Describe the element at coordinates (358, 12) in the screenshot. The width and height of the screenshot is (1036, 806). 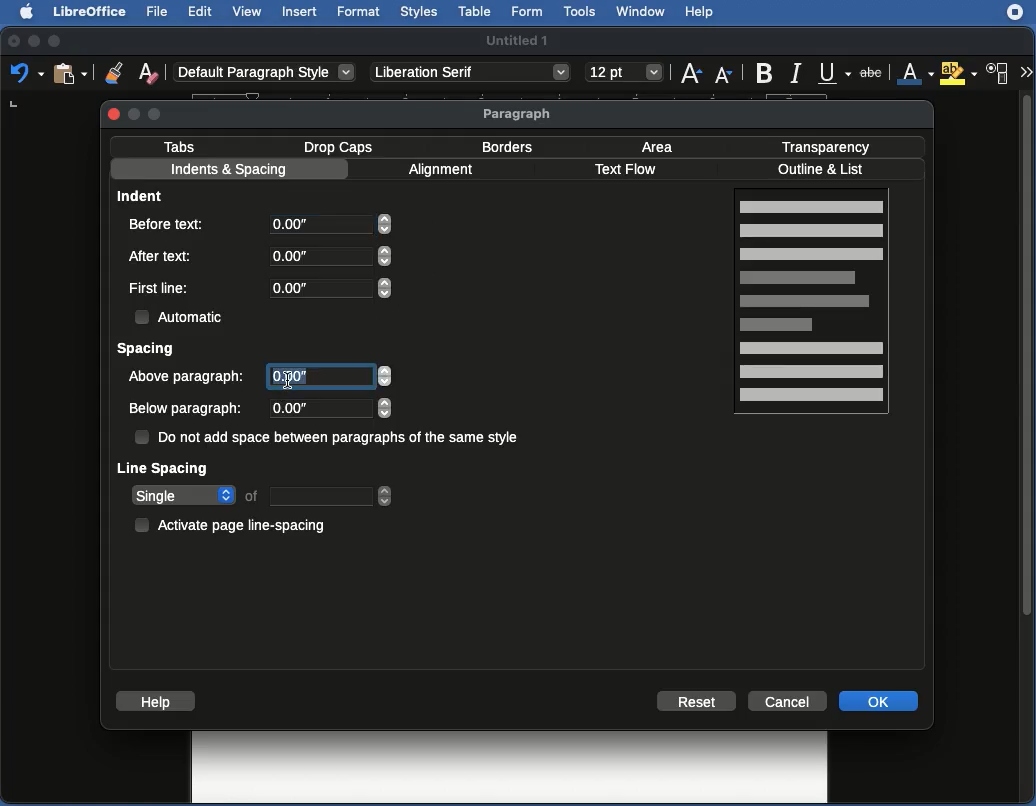
I see `Format ` at that location.